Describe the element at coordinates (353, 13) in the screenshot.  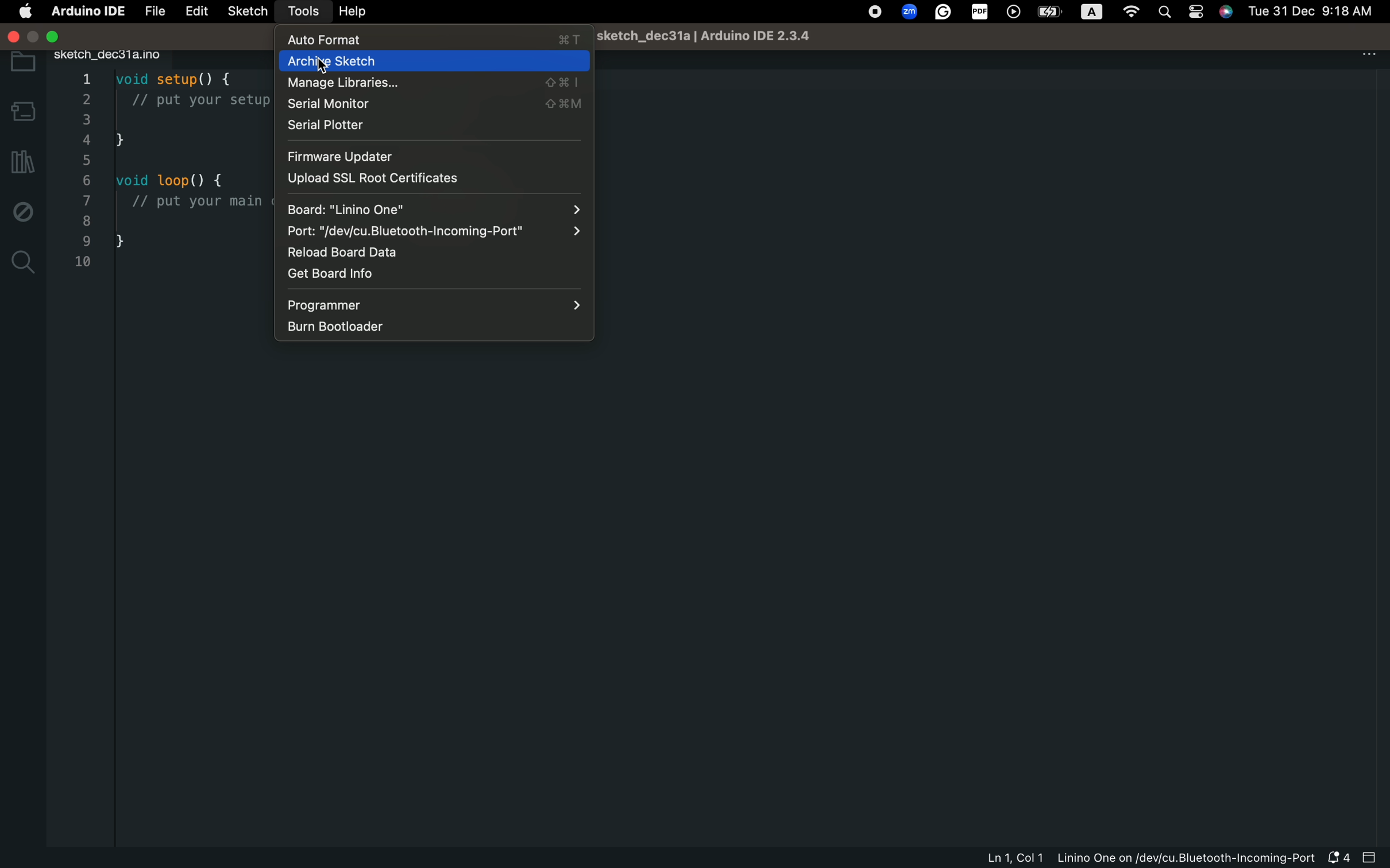
I see `help` at that location.